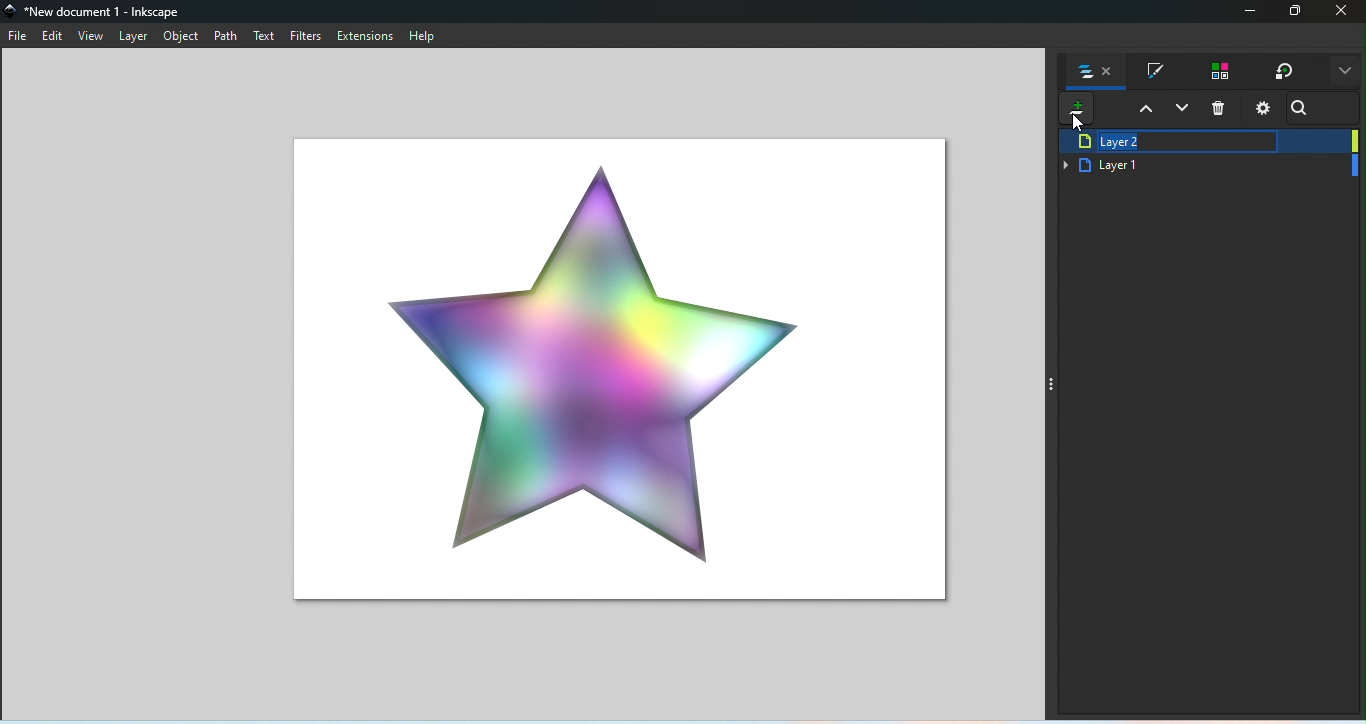 The image size is (1366, 724). I want to click on layers and objects dialogs settings, so click(1263, 110).